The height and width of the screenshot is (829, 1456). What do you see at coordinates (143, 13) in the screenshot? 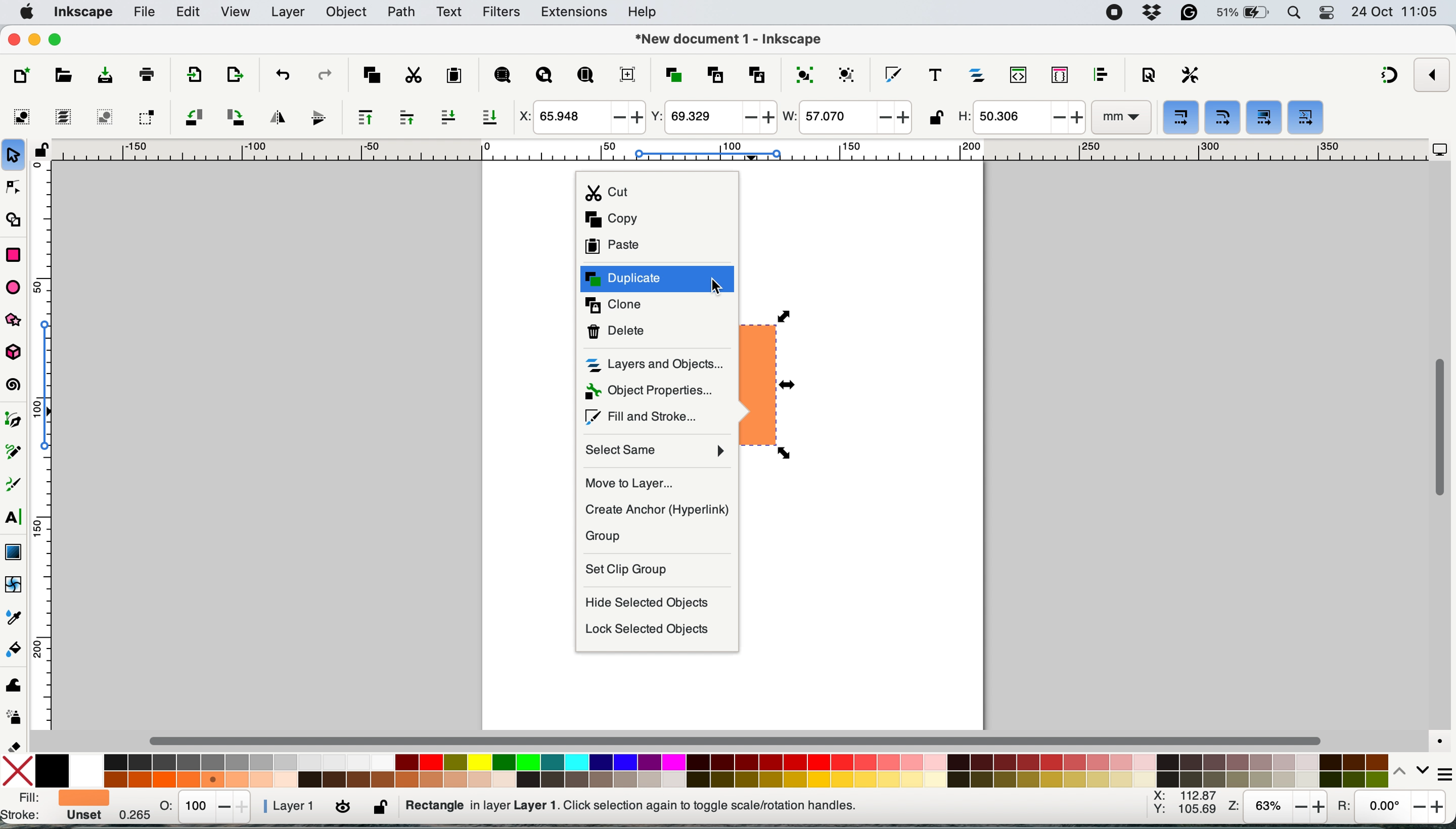
I see `file` at bounding box center [143, 13].